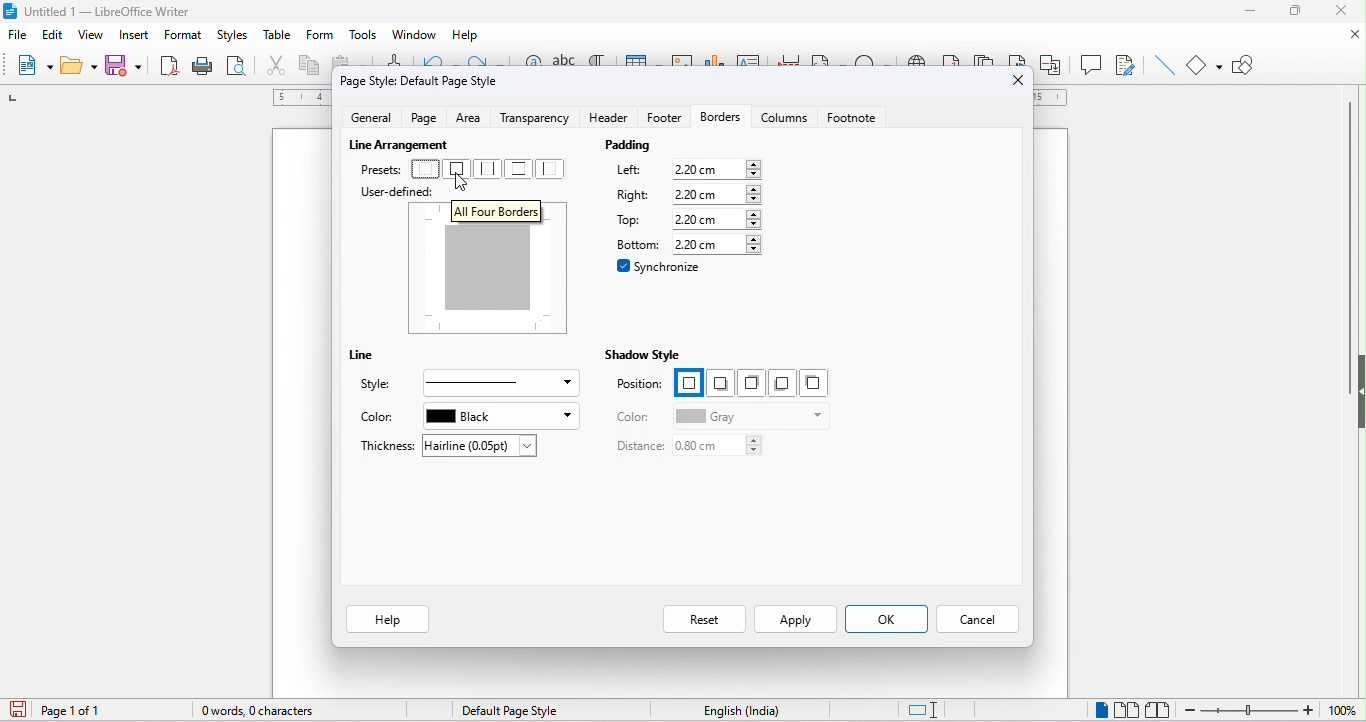  I want to click on close, so click(1346, 11).